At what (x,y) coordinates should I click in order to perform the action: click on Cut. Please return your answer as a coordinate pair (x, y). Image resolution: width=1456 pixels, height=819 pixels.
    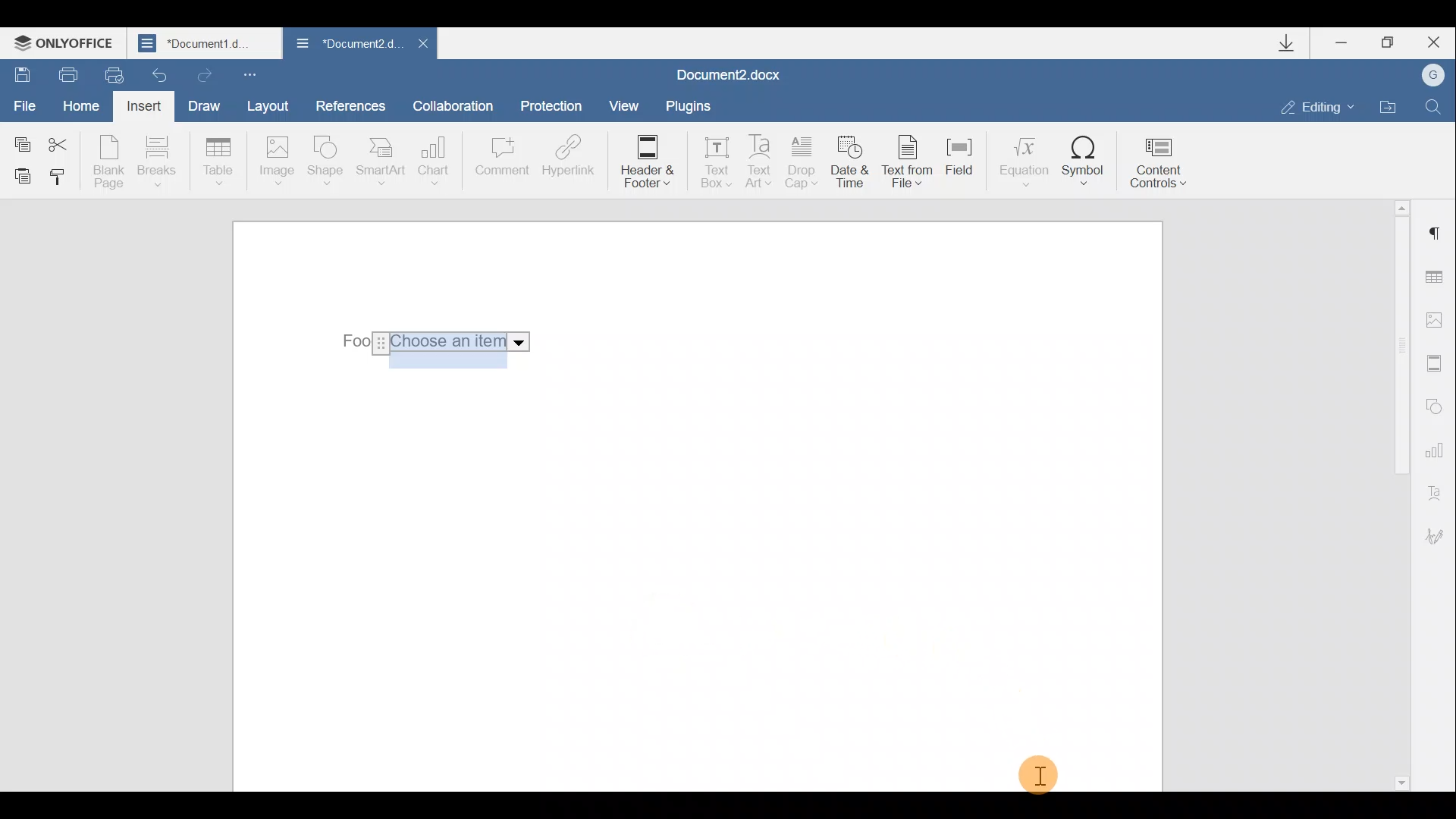
    Looking at the image, I should click on (67, 142).